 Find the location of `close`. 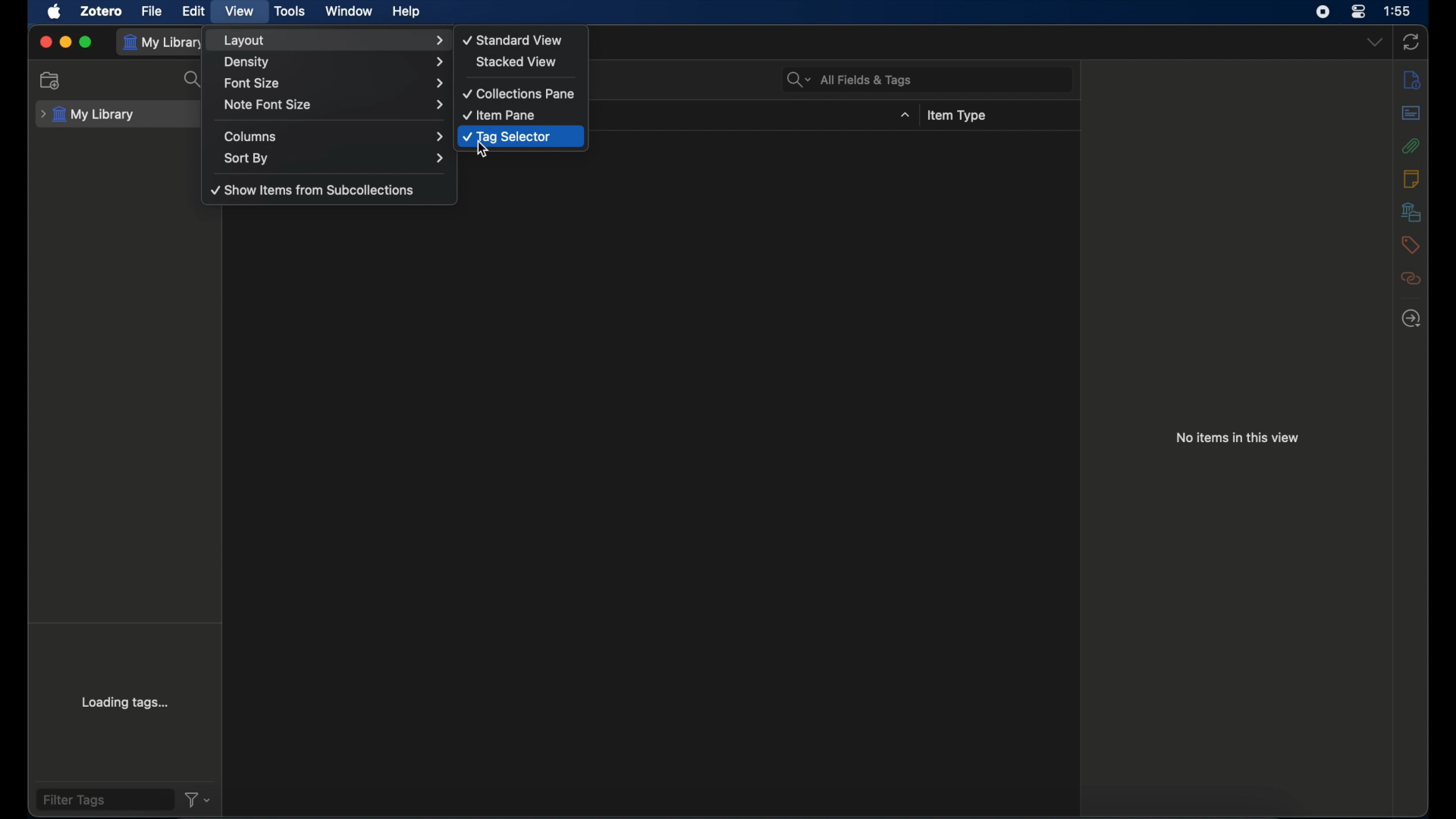

close is located at coordinates (45, 43).